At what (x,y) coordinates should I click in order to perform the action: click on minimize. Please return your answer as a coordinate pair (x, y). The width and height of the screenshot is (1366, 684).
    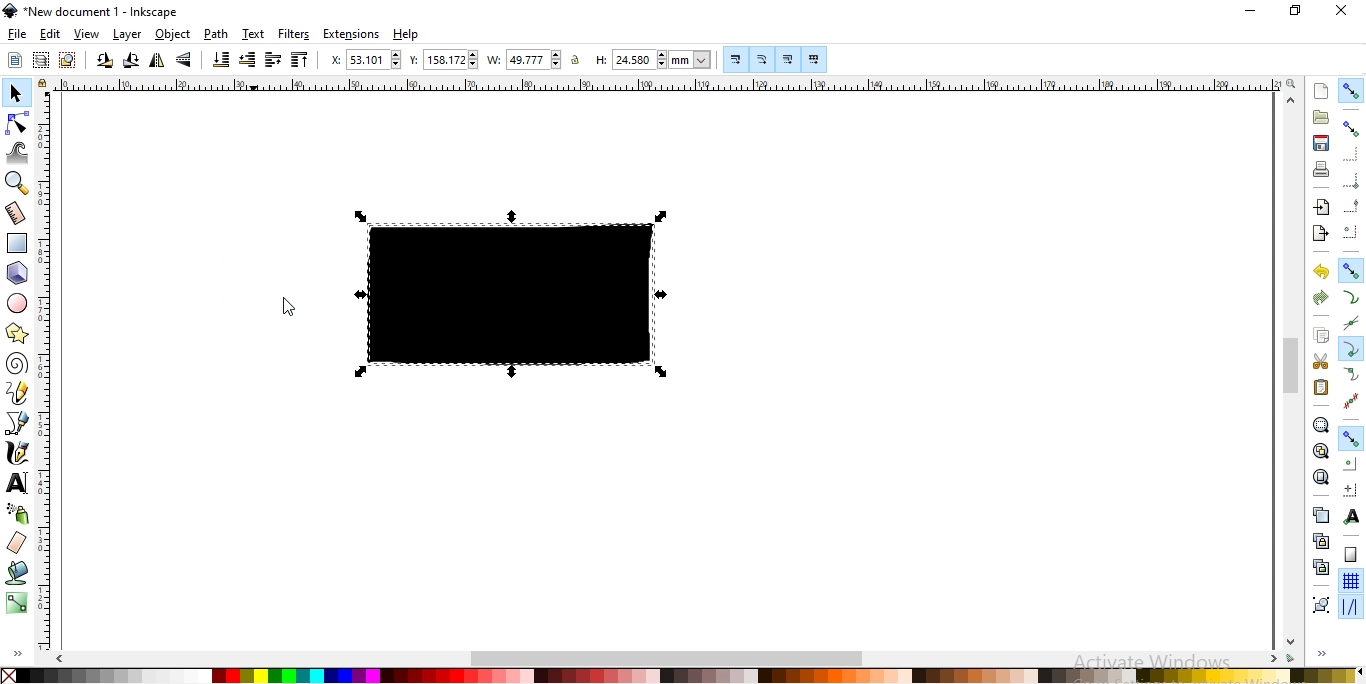
    Looking at the image, I should click on (1251, 12).